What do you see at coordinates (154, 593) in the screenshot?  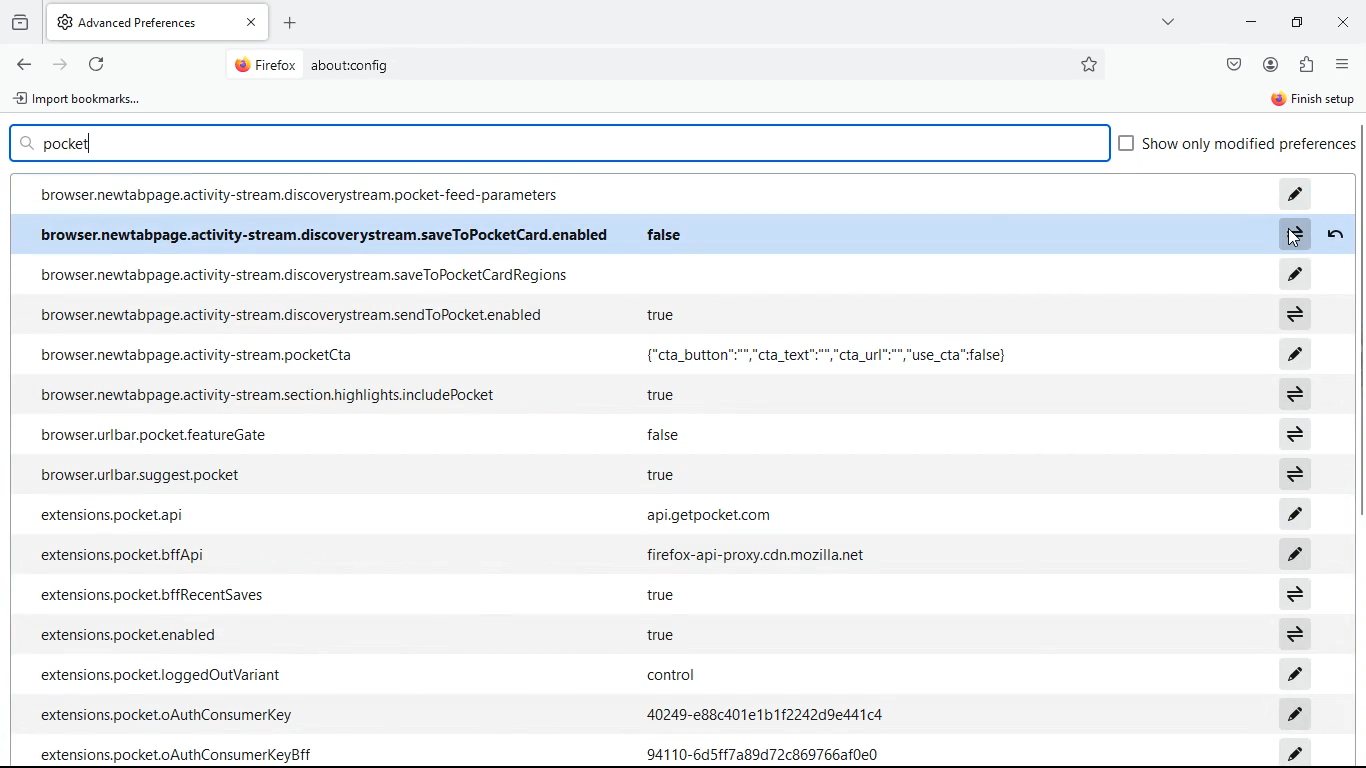 I see `‘extensions.pocket.bffRecentSaves` at bounding box center [154, 593].